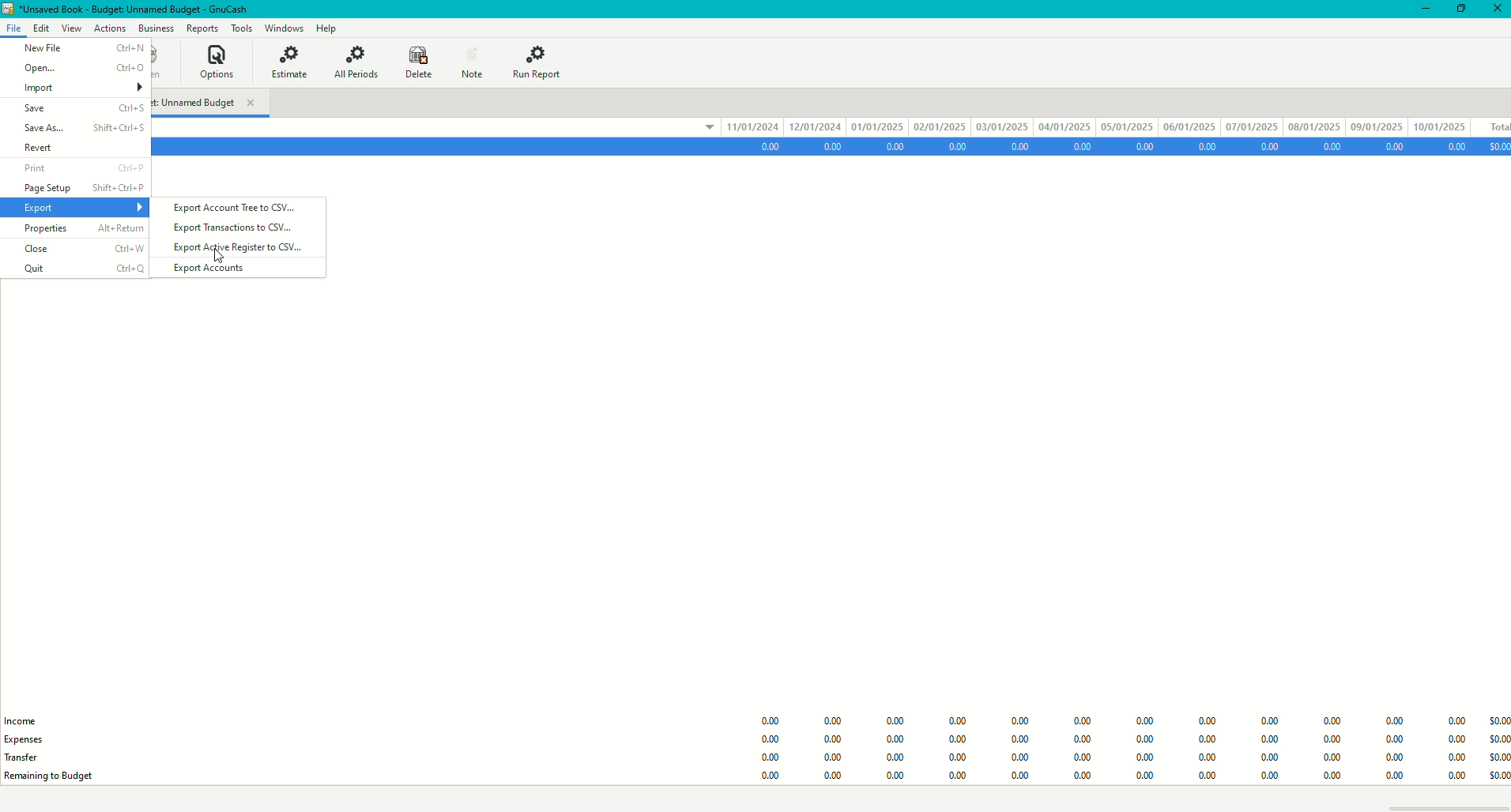 Image resolution: width=1511 pixels, height=812 pixels. What do you see at coordinates (281, 28) in the screenshot?
I see `Windows` at bounding box center [281, 28].